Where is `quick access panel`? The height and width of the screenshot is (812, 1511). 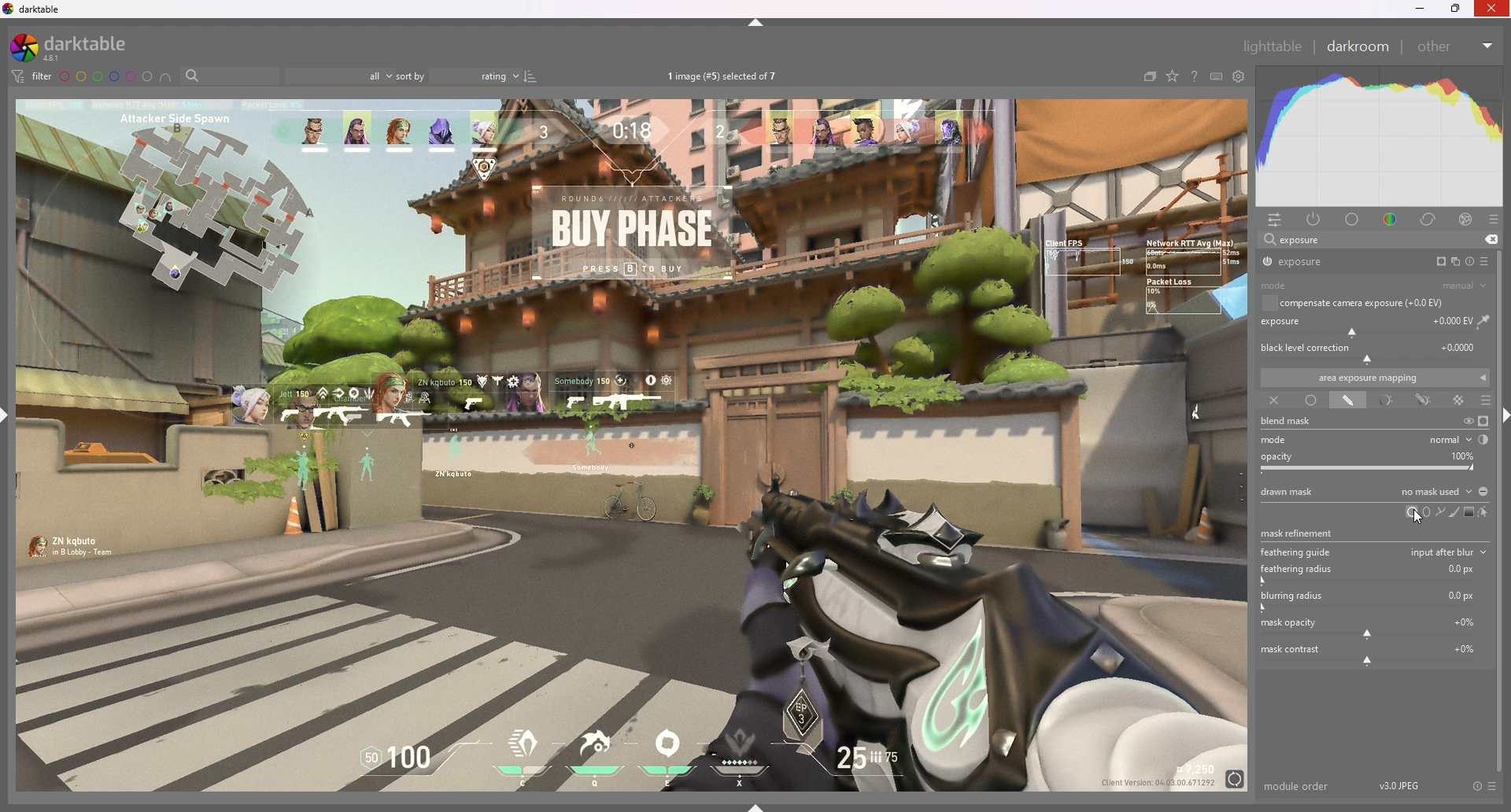 quick access panel is located at coordinates (1278, 220).